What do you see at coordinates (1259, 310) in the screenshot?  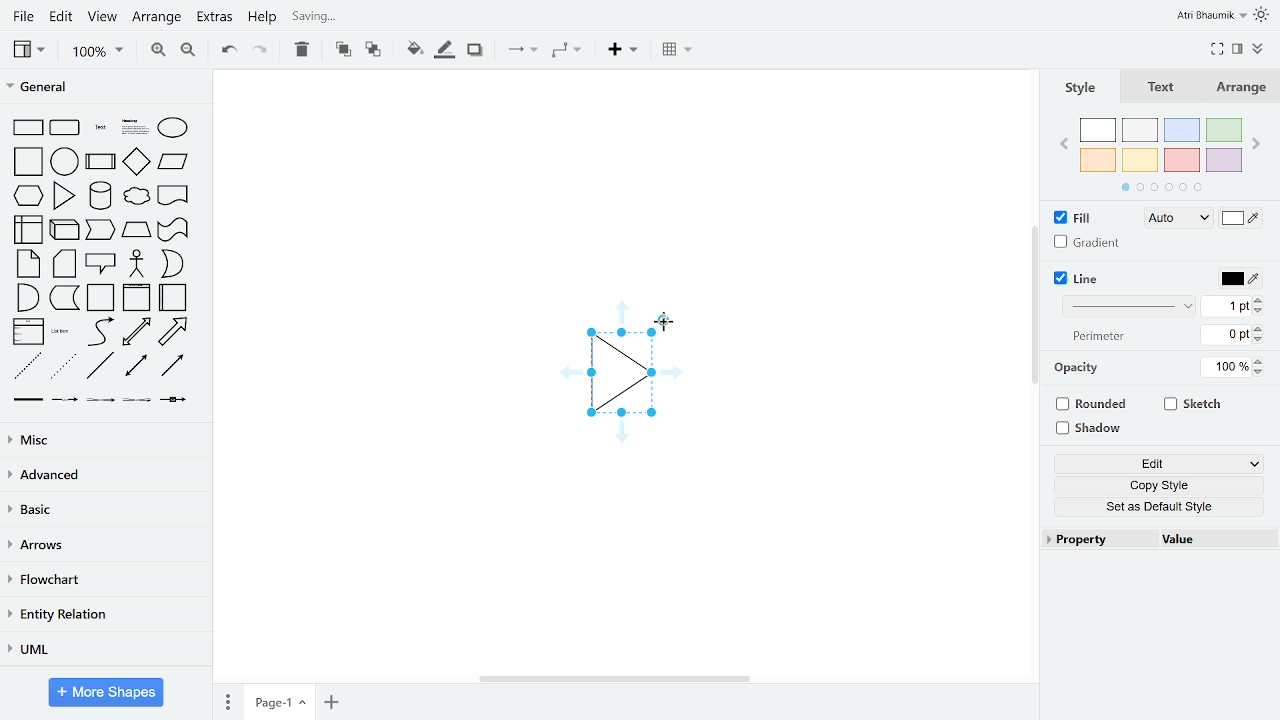 I see `decrease line width` at bounding box center [1259, 310].